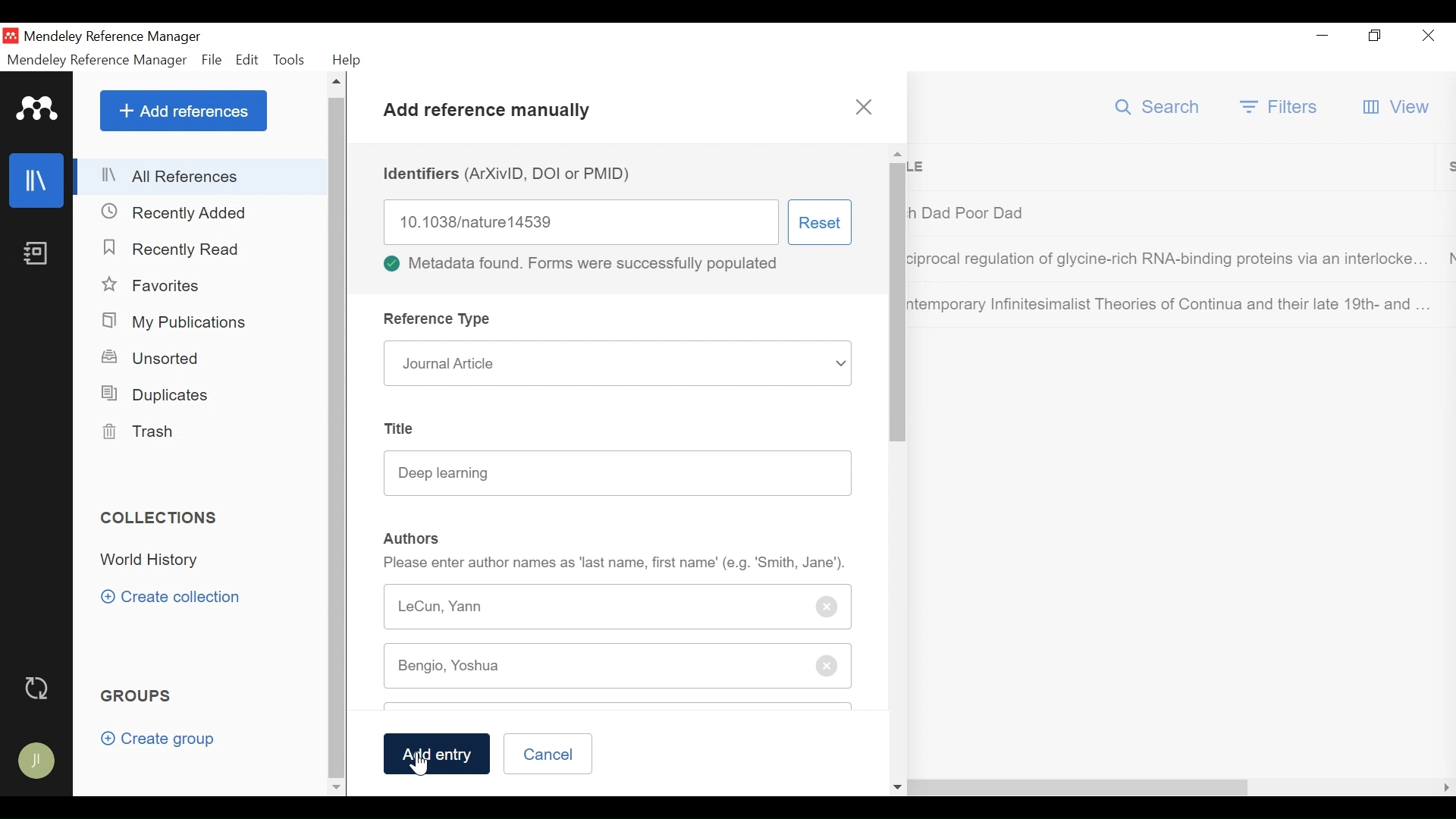 The image size is (1456, 819). Describe the element at coordinates (1375, 37) in the screenshot. I see `Restore` at that location.